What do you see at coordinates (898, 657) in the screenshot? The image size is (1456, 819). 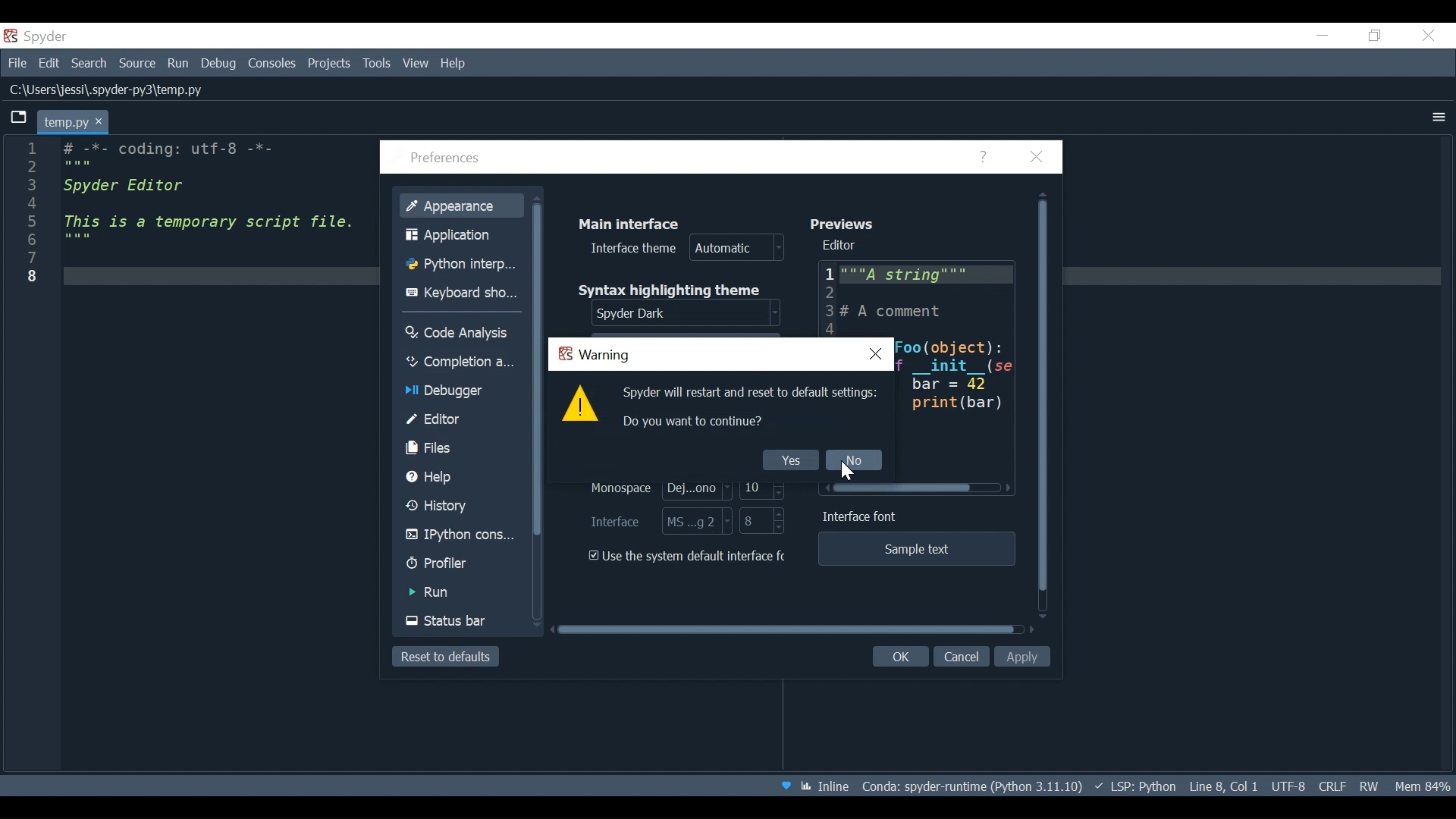 I see `OK` at bounding box center [898, 657].